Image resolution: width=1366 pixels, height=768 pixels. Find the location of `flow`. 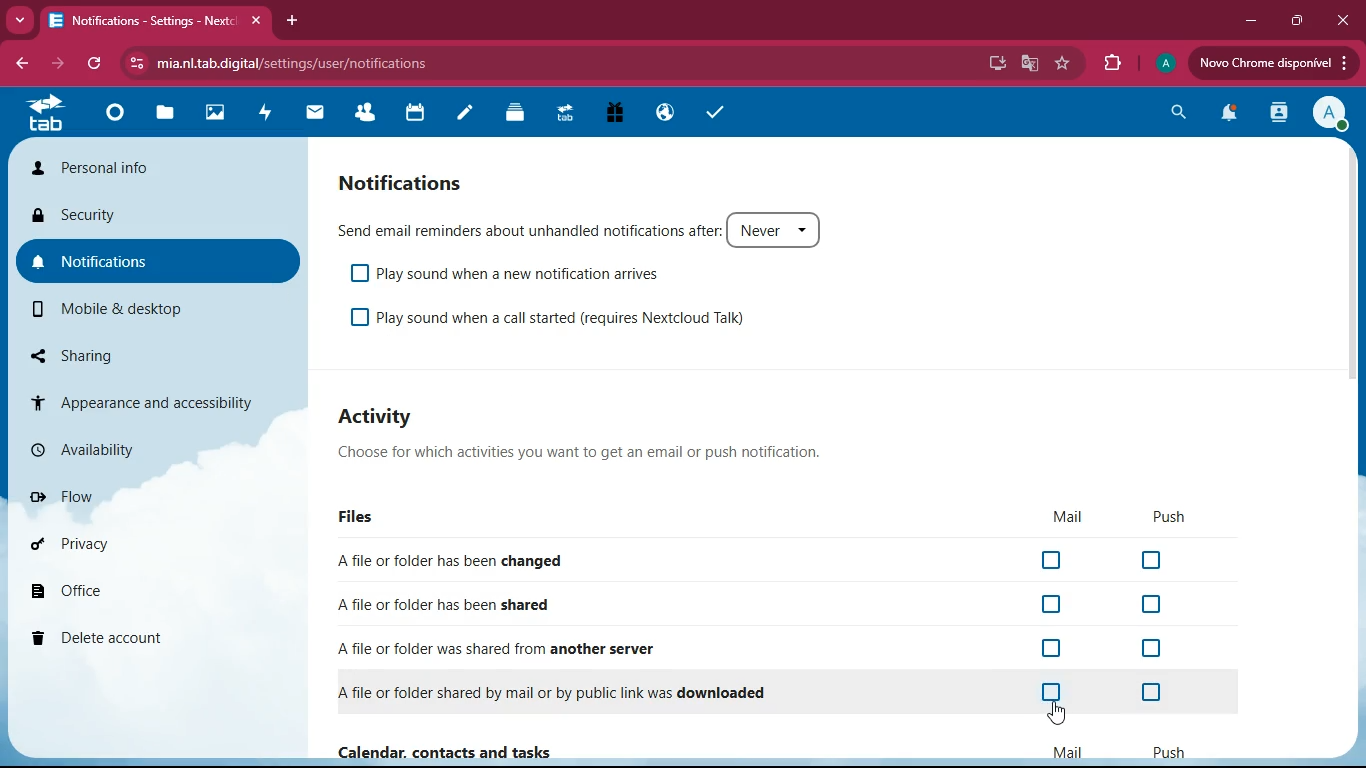

flow is located at coordinates (137, 493).